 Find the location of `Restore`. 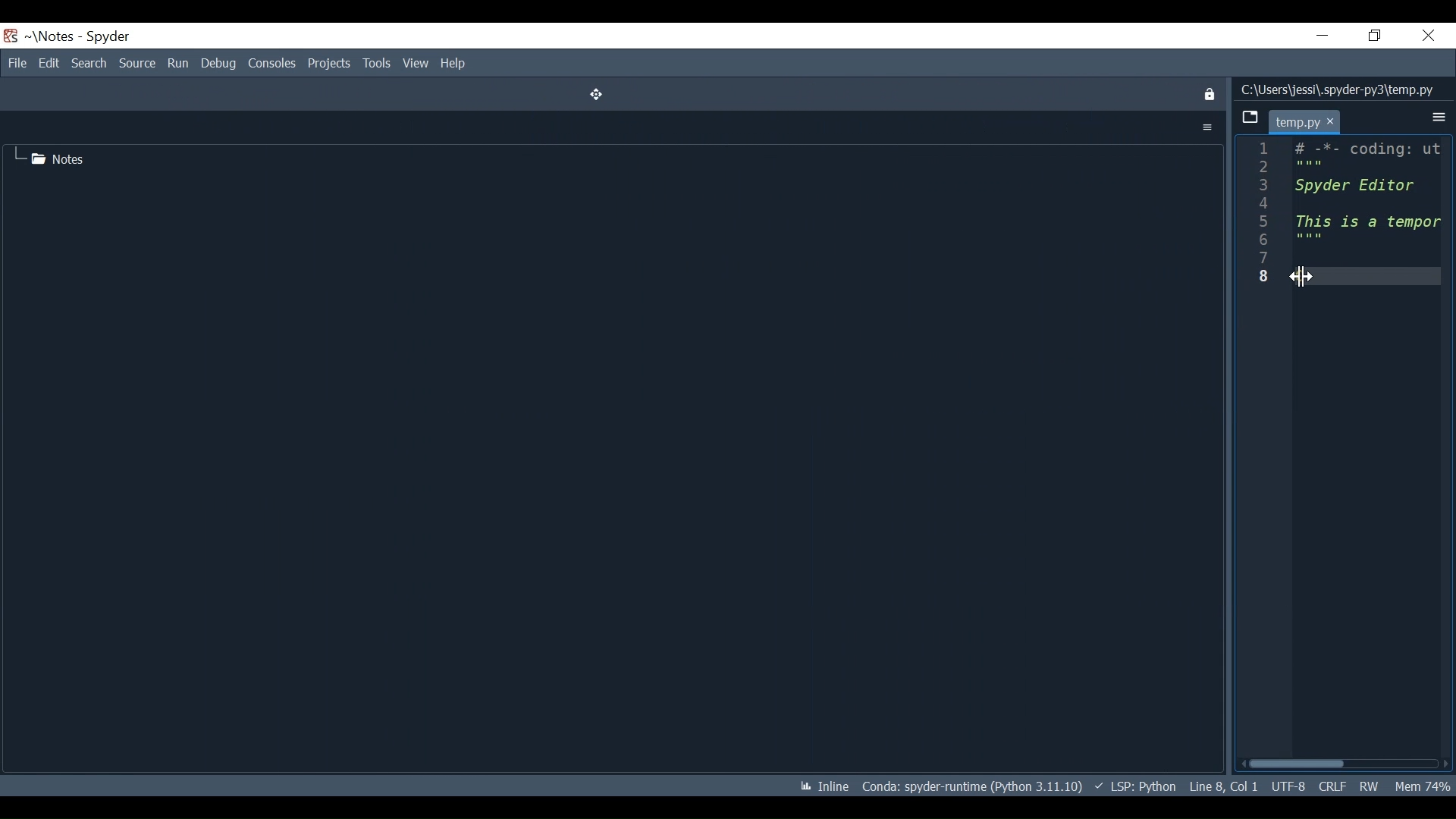

Restore is located at coordinates (1375, 35).